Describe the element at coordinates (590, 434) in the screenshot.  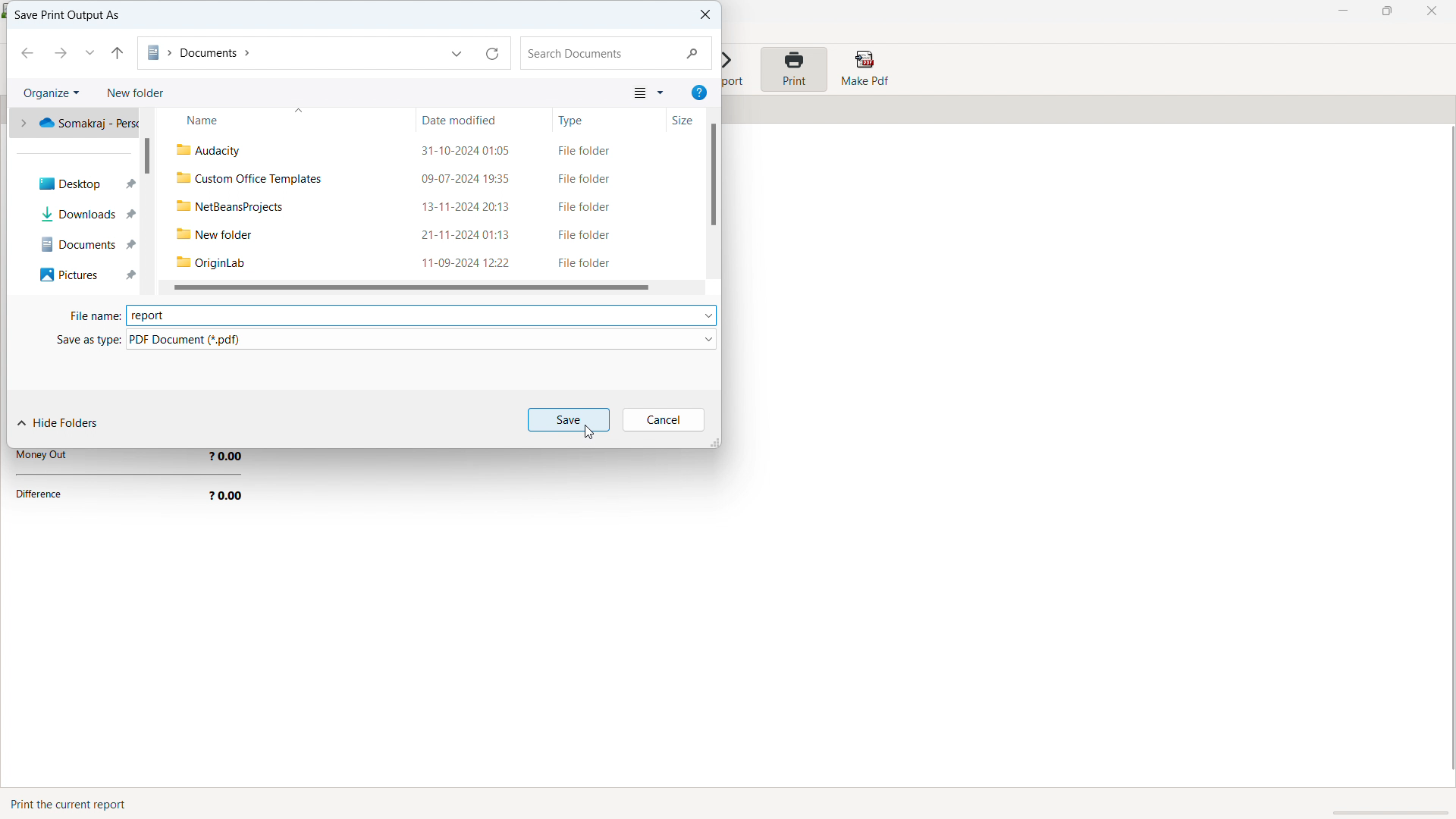
I see `Cursor` at that location.